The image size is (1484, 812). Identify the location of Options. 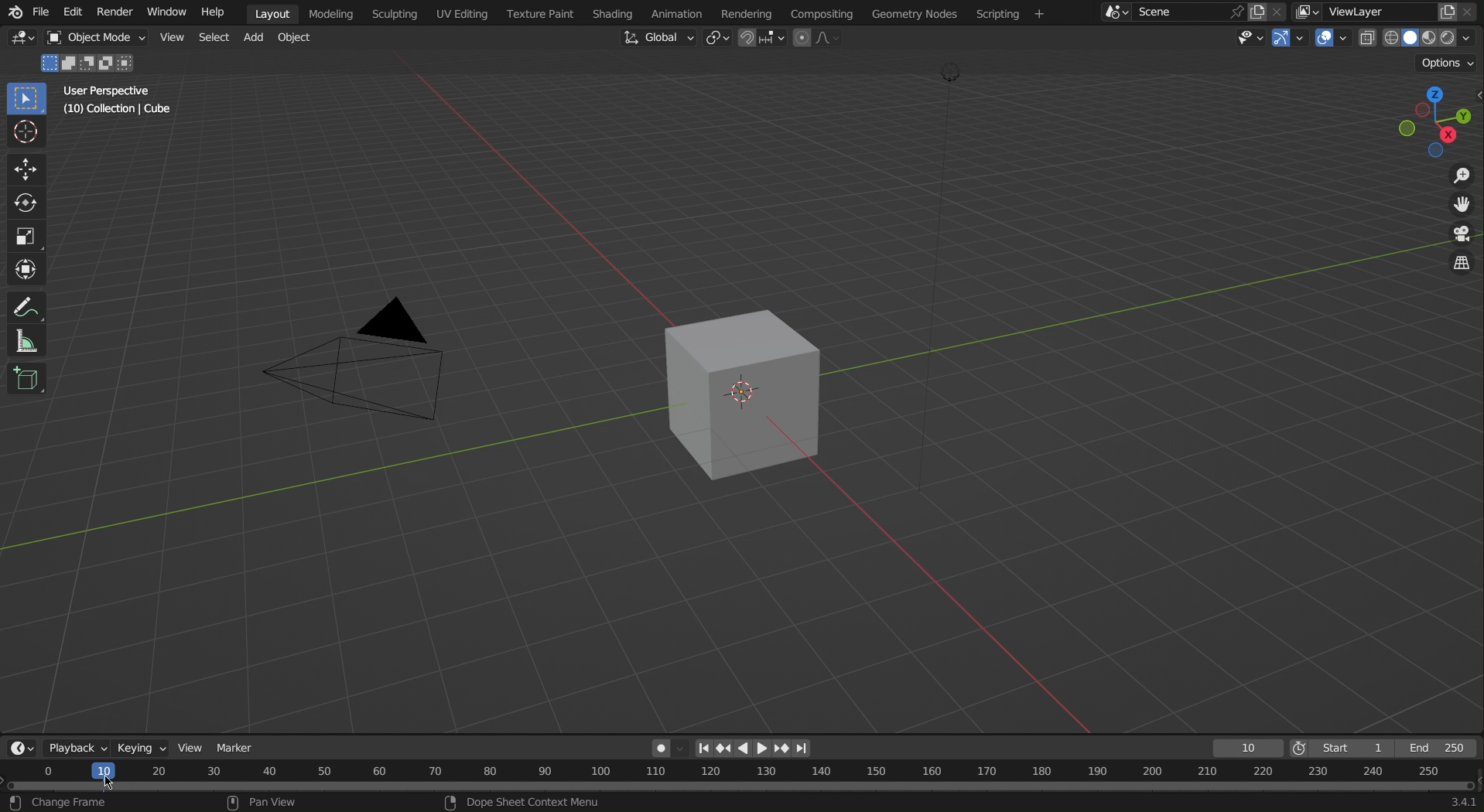
(1446, 64).